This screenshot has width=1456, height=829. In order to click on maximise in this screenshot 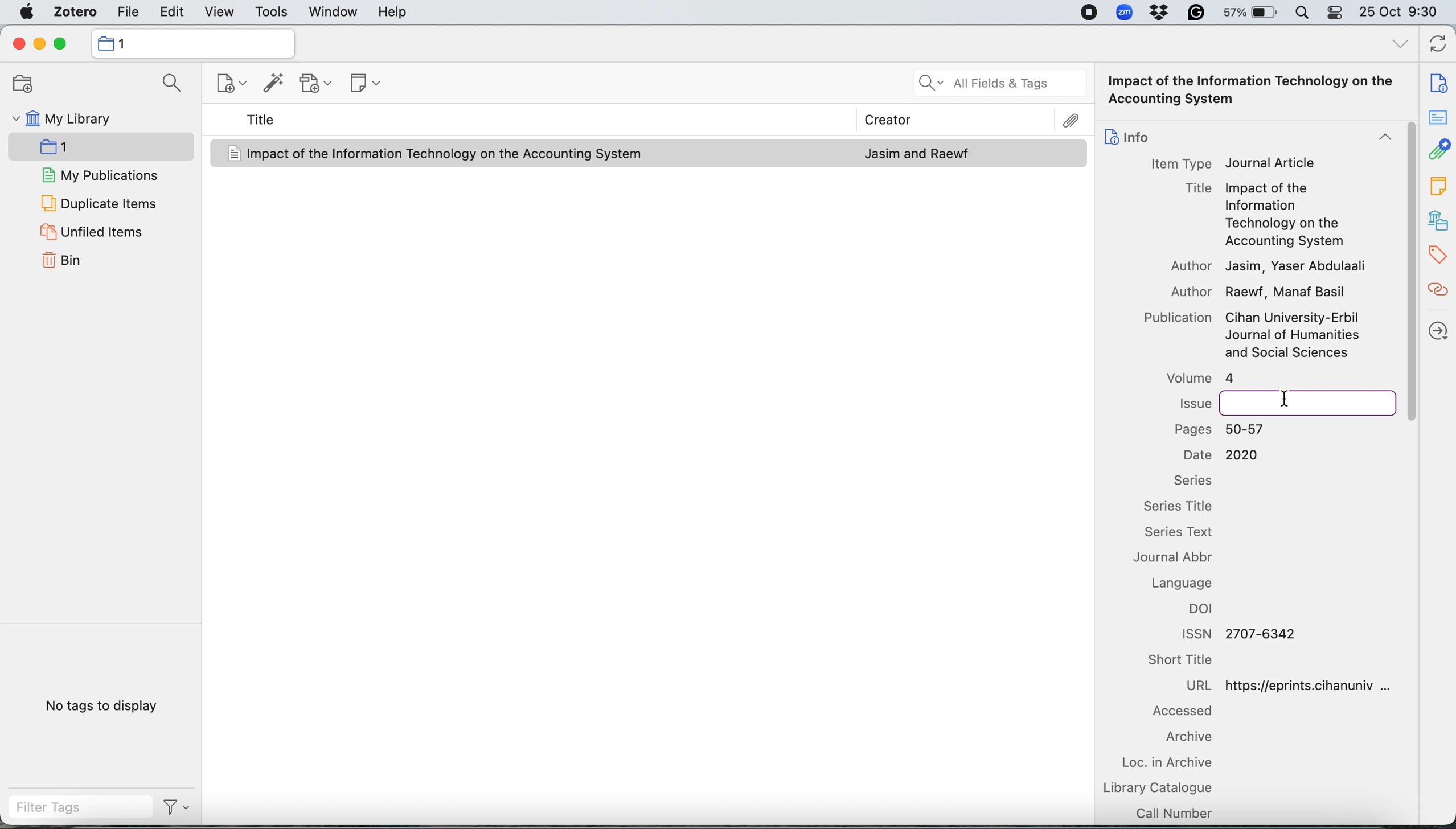, I will do `click(63, 43)`.